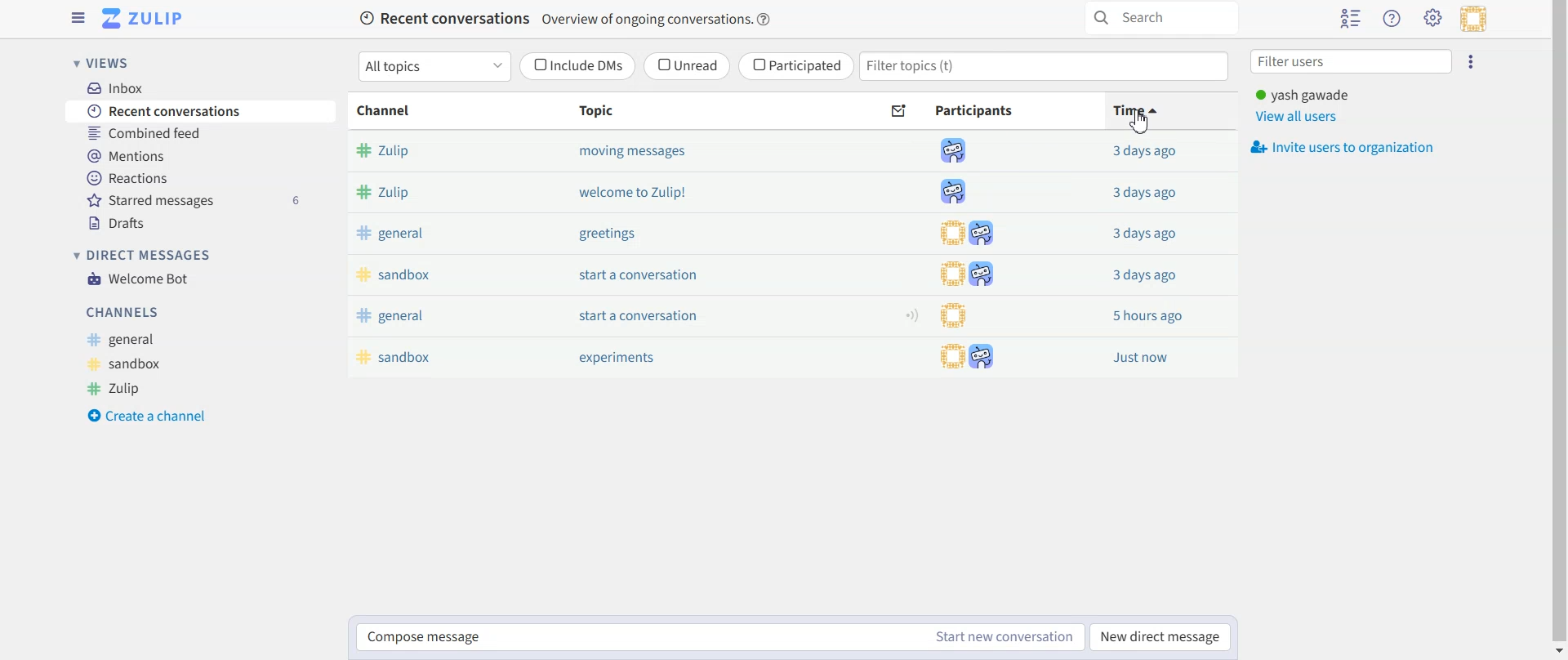  Describe the element at coordinates (956, 190) in the screenshot. I see `participants` at that location.